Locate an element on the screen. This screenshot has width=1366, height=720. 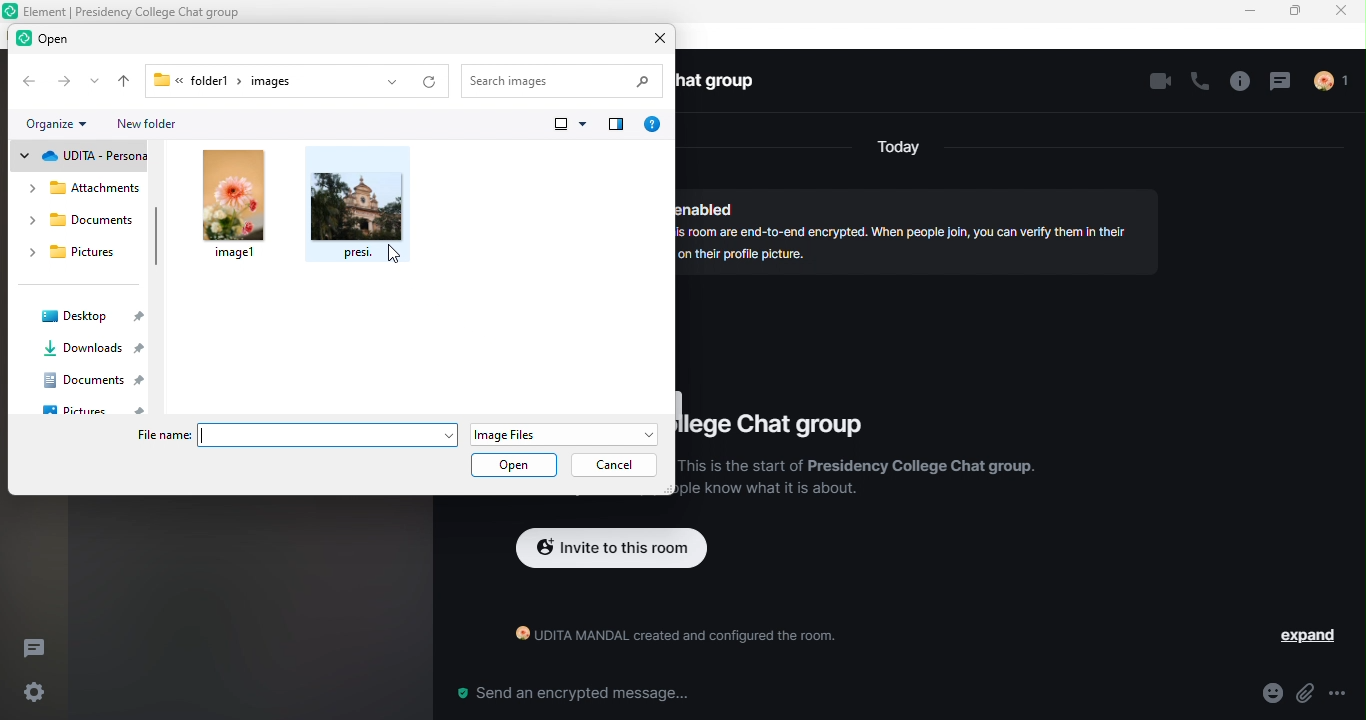
Back is located at coordinates (31, 82).